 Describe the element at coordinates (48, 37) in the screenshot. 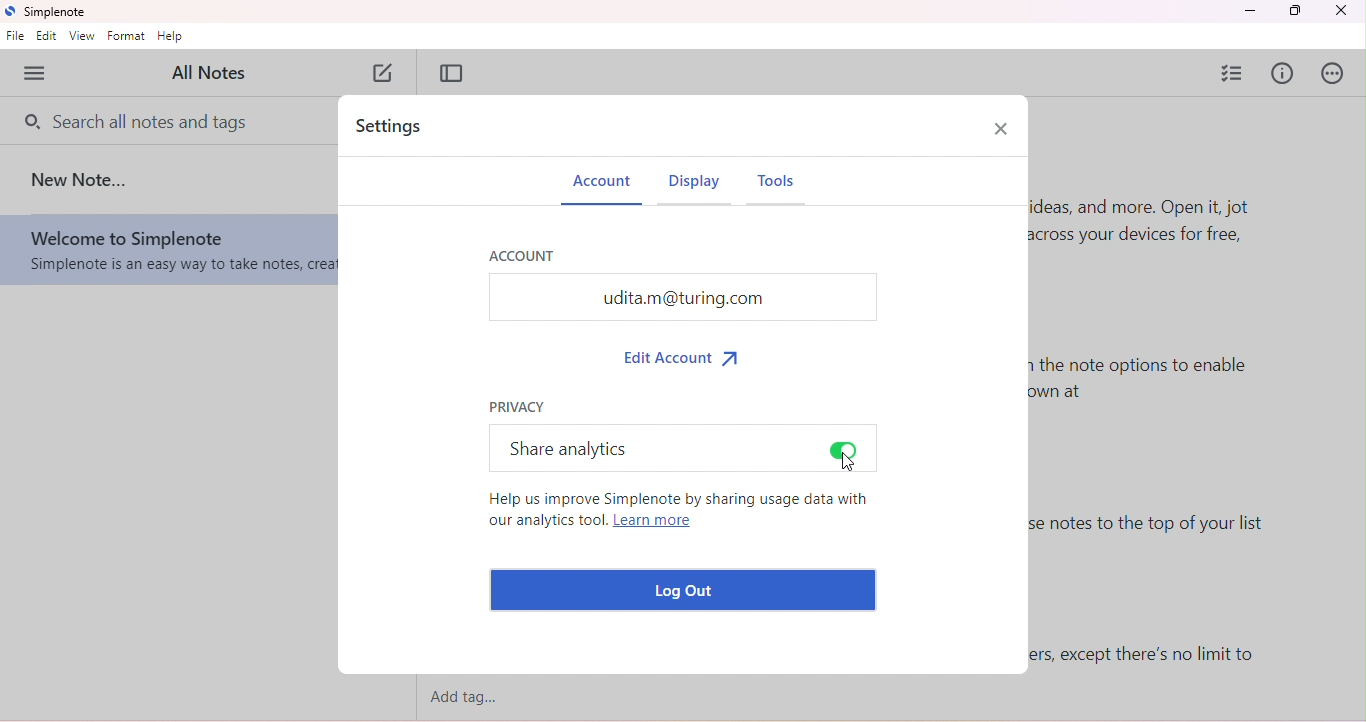

I see `edit` at that location.